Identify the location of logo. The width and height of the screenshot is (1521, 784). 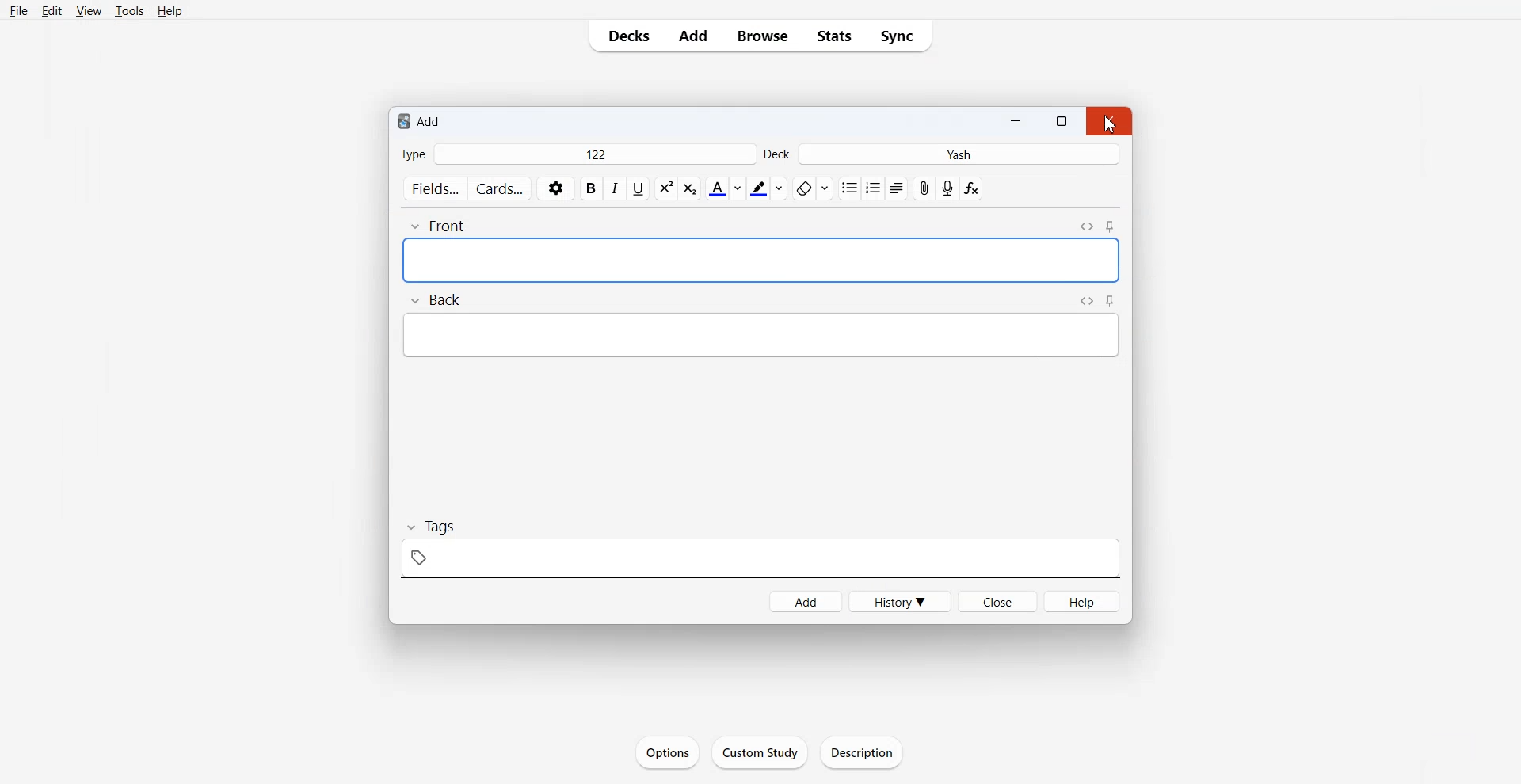
(402, 121).